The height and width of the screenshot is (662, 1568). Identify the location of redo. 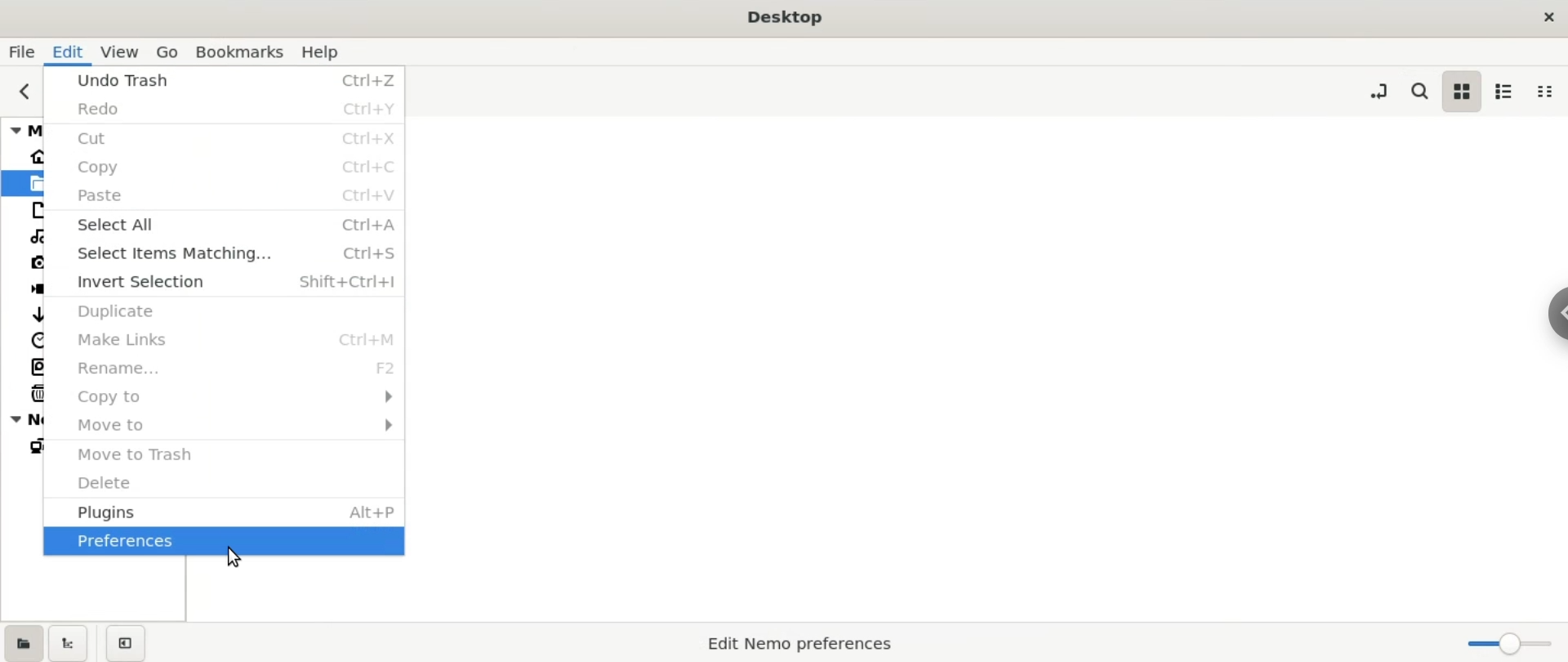
(222, 110).